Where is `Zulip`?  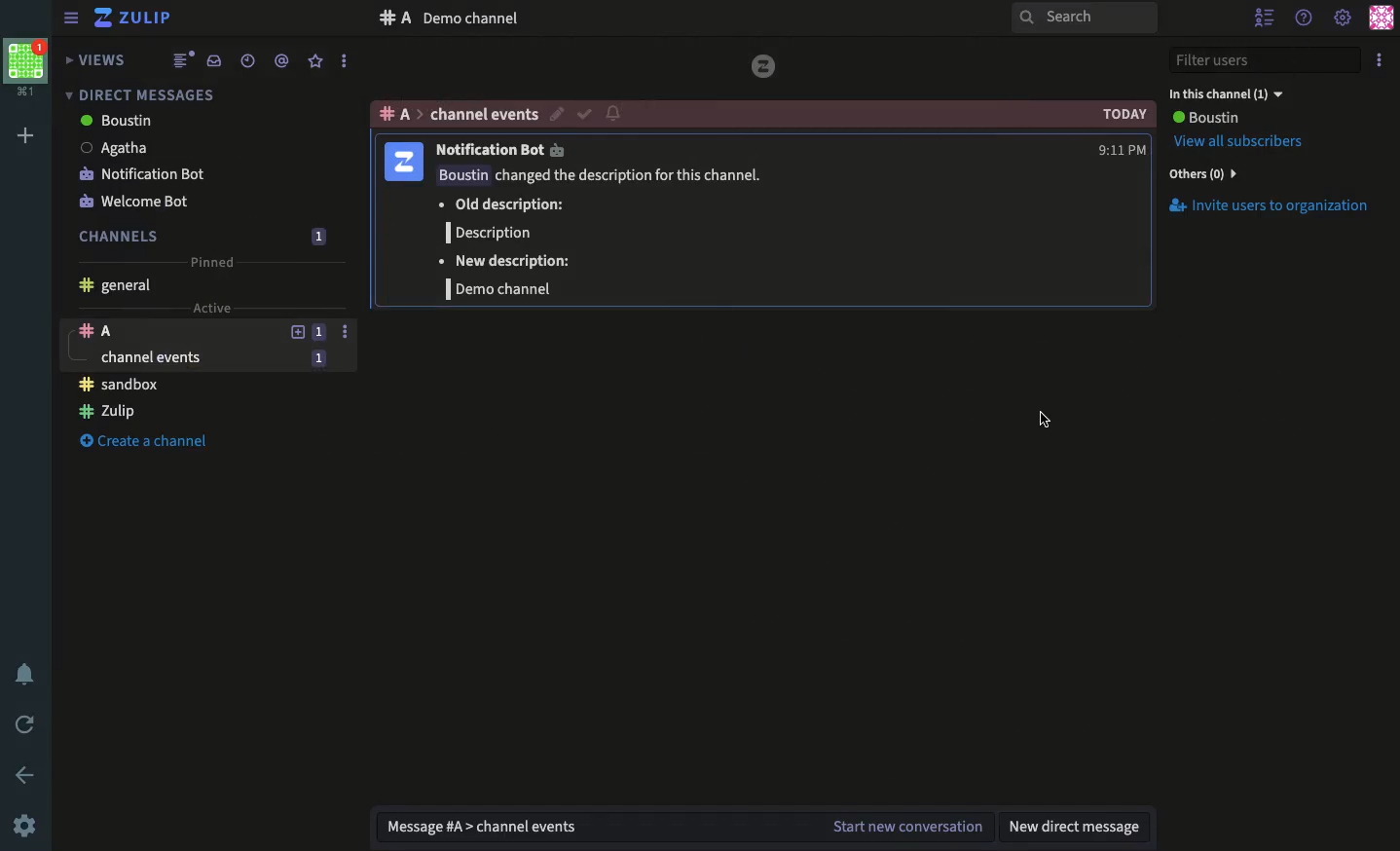
Zulip is located at coordinates (111, 409).